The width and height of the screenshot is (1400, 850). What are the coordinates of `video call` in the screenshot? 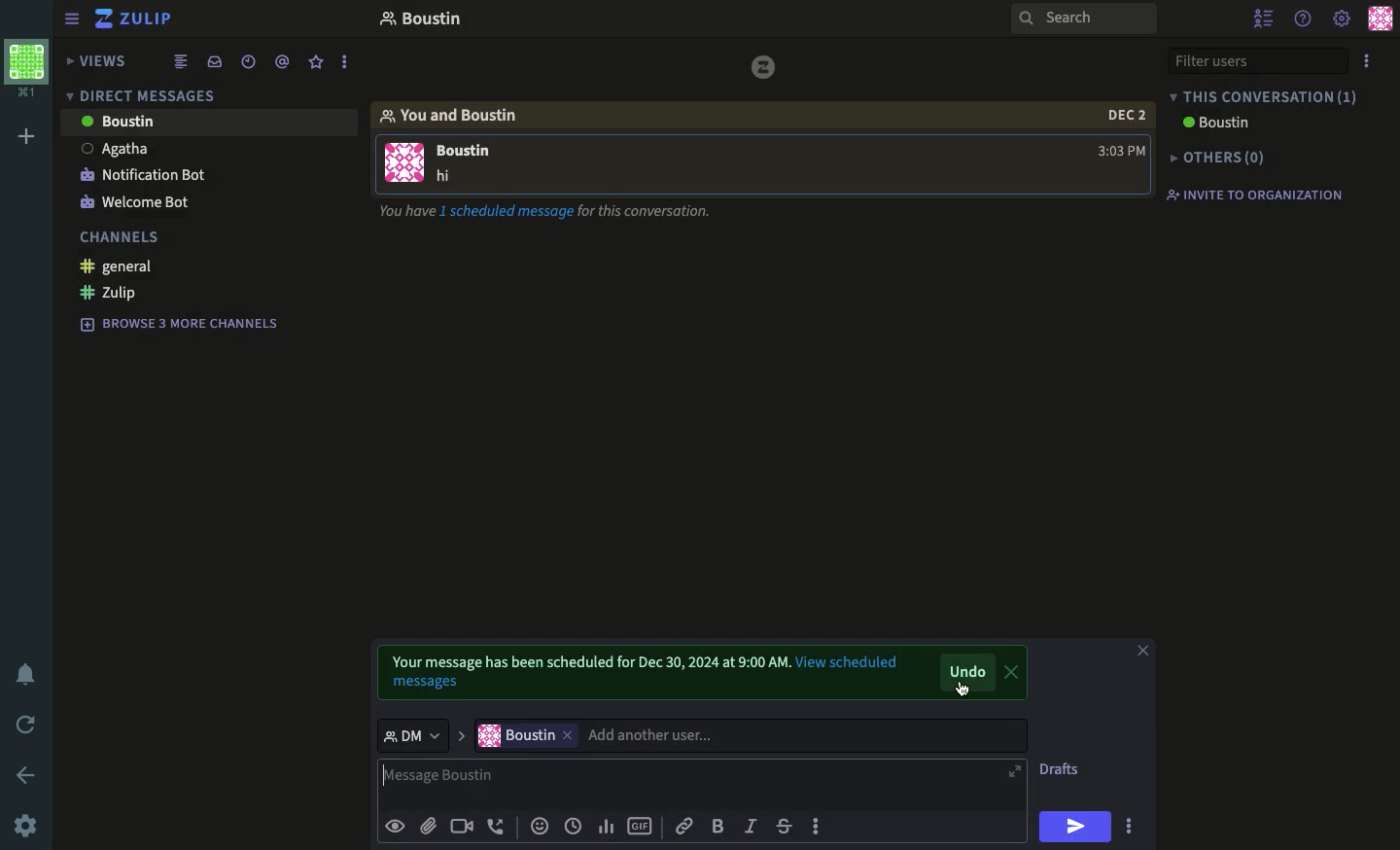 It's located at (460, 826).